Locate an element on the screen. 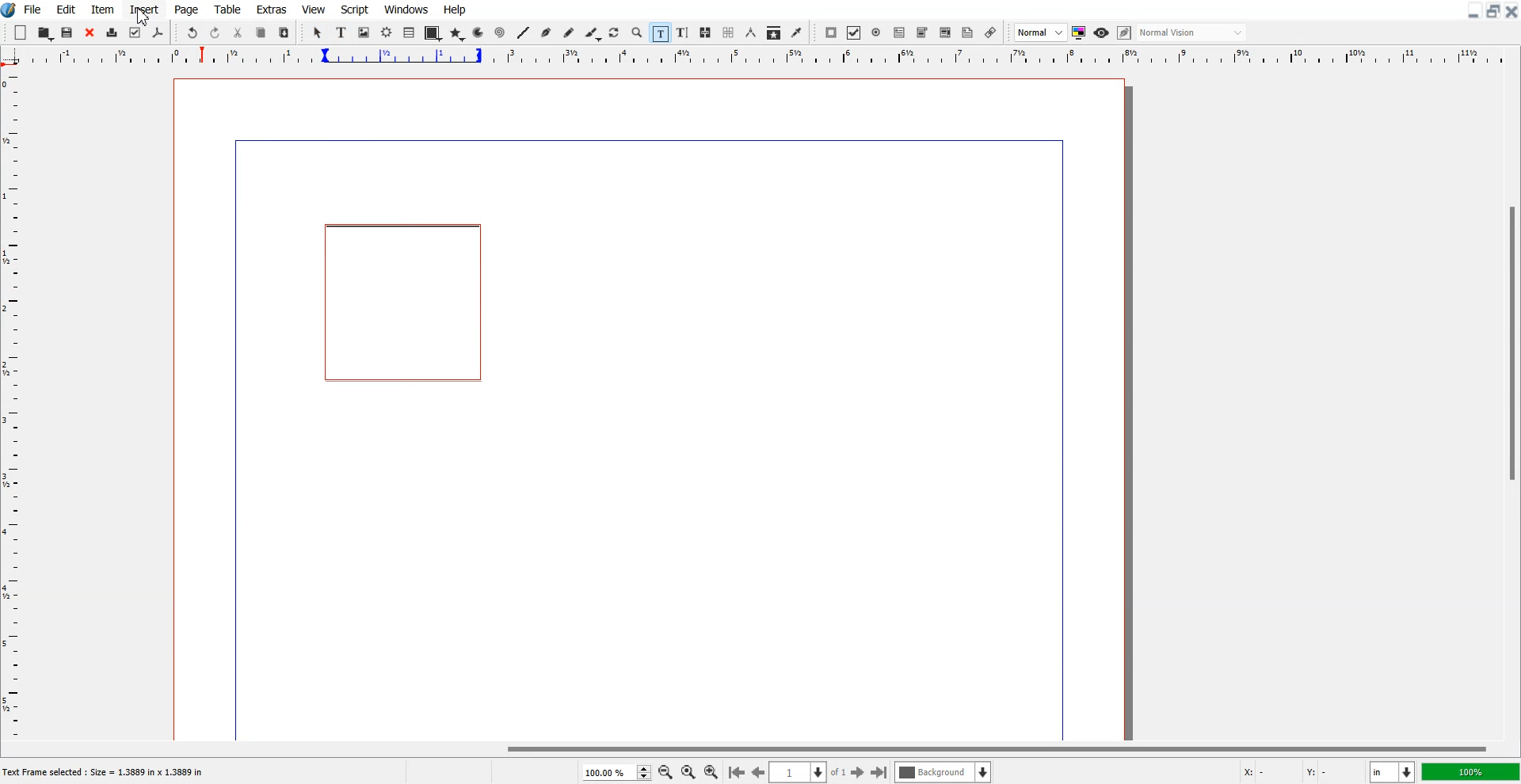  Line is located at coordinates (523, 32).